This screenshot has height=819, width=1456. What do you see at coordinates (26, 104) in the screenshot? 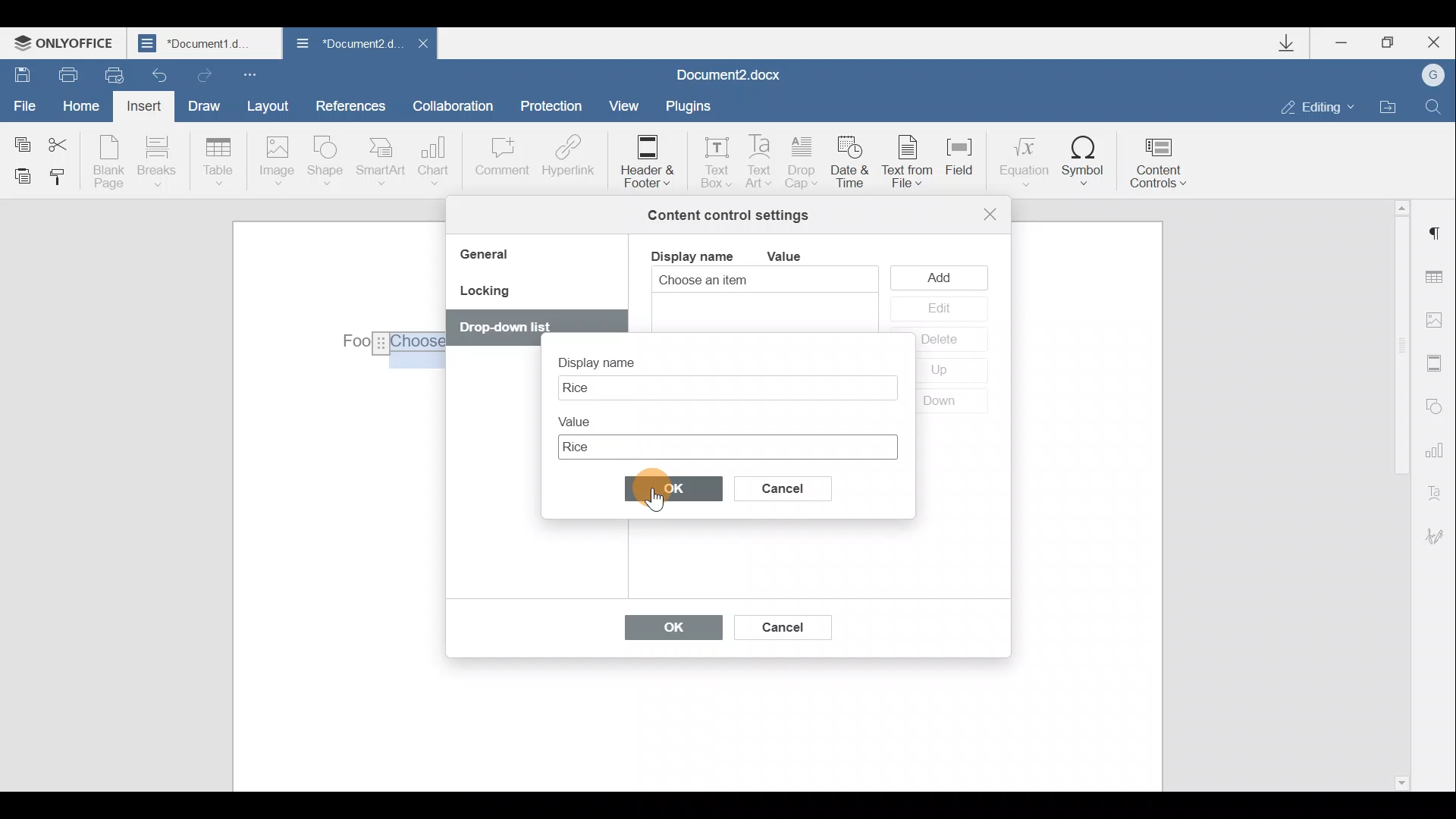
I see `File` at bounding box center [26, 104].